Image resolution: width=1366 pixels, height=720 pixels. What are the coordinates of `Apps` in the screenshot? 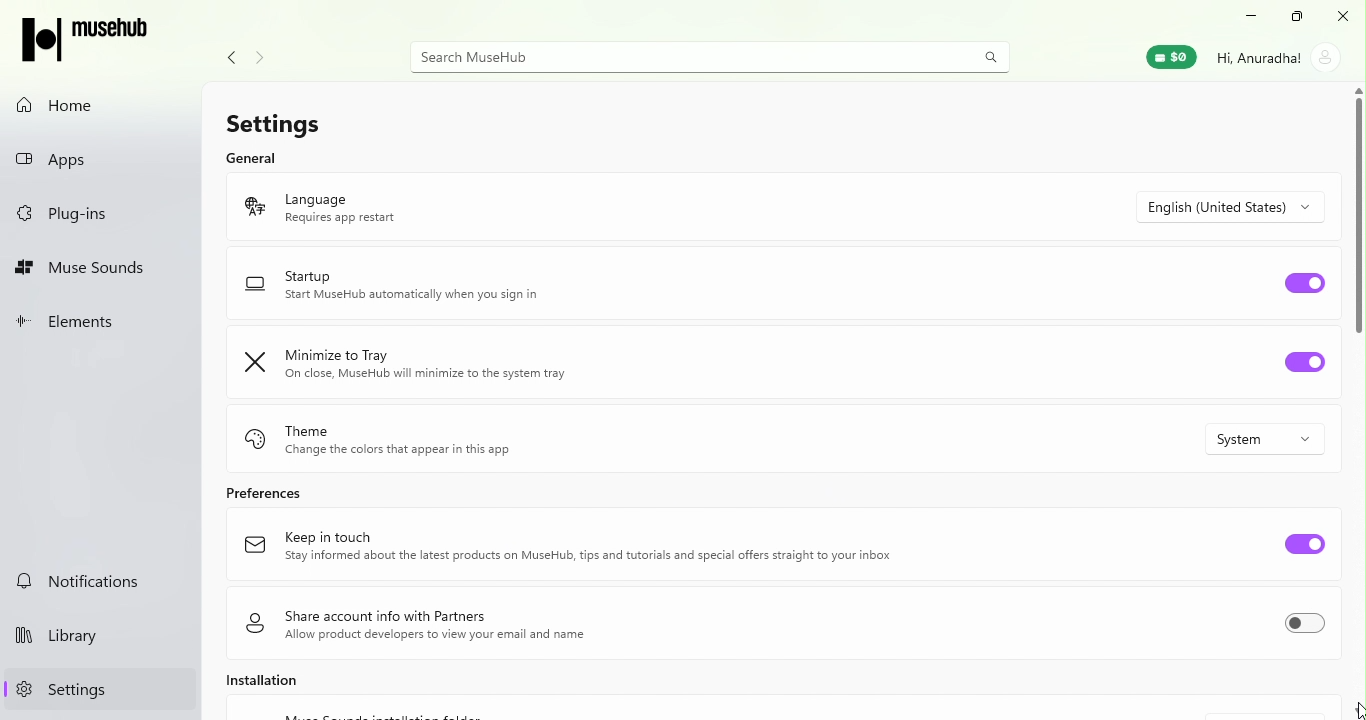 It's located at (99, 164).